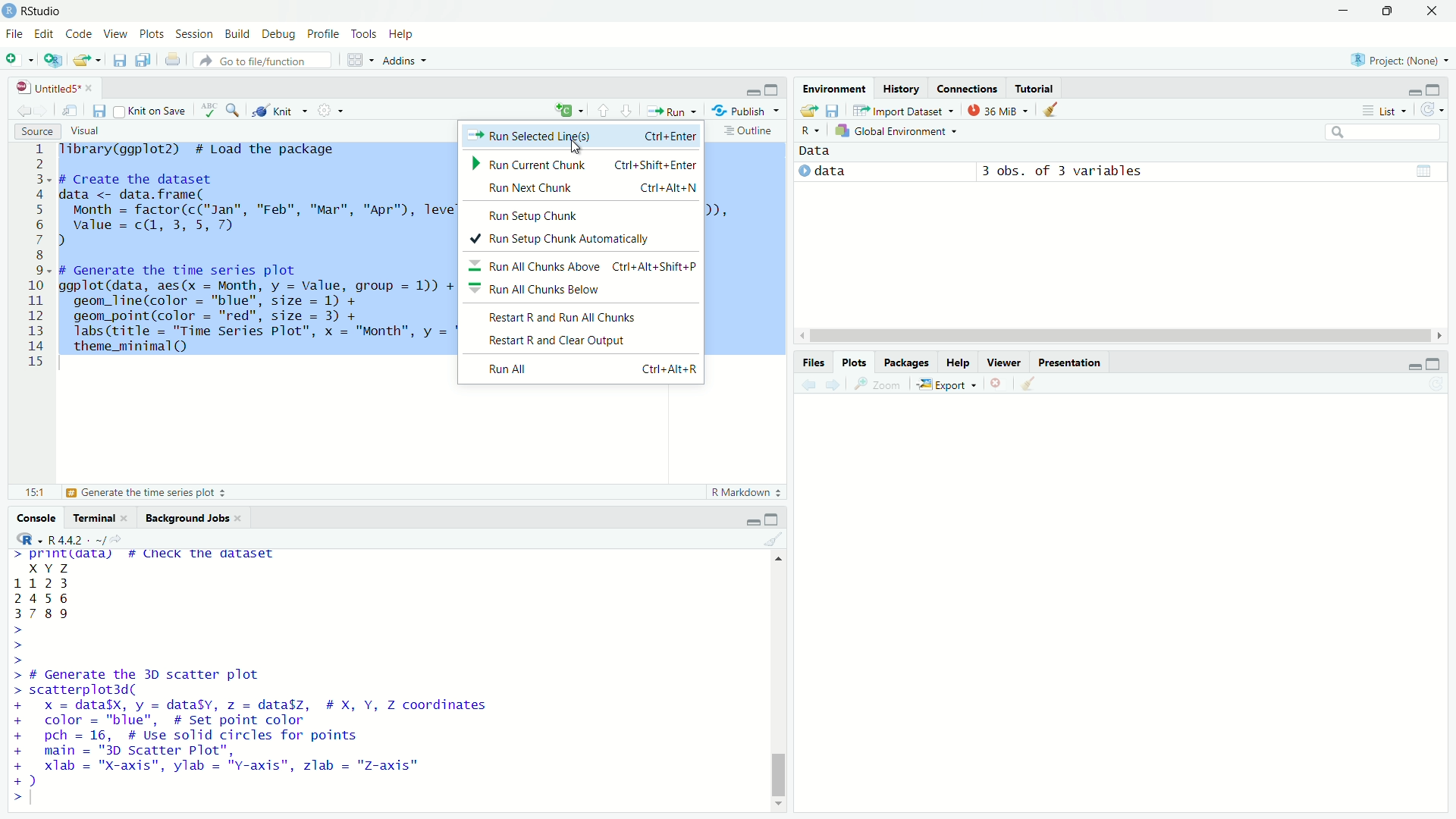 The image size is (1456, 819). What do you see at coordinates (88, 130) in the screenshot?
I see `visual` at bounding box center [88, 130].